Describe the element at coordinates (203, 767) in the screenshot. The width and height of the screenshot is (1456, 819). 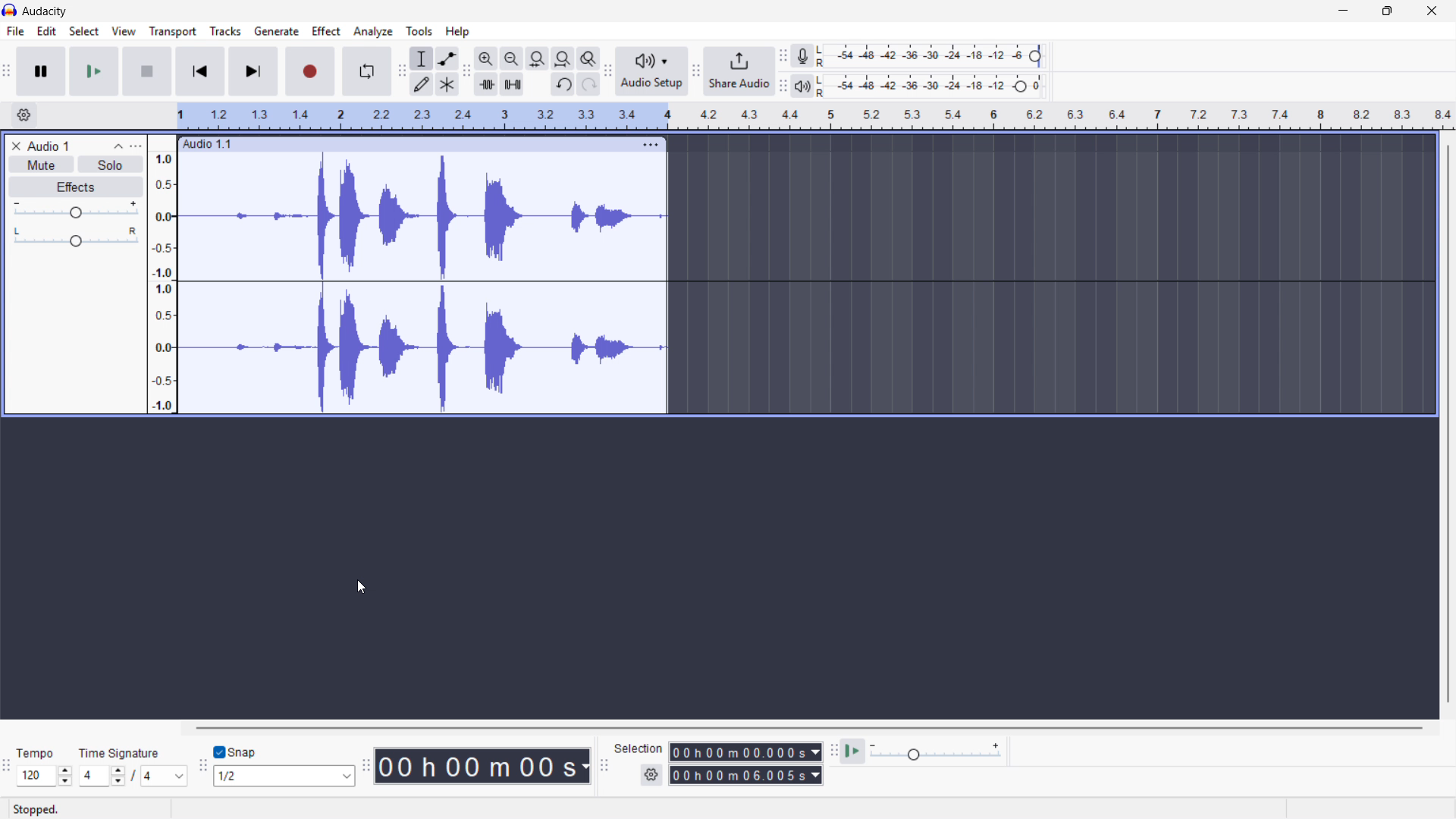
I see `Snapping toolbar` at that location.